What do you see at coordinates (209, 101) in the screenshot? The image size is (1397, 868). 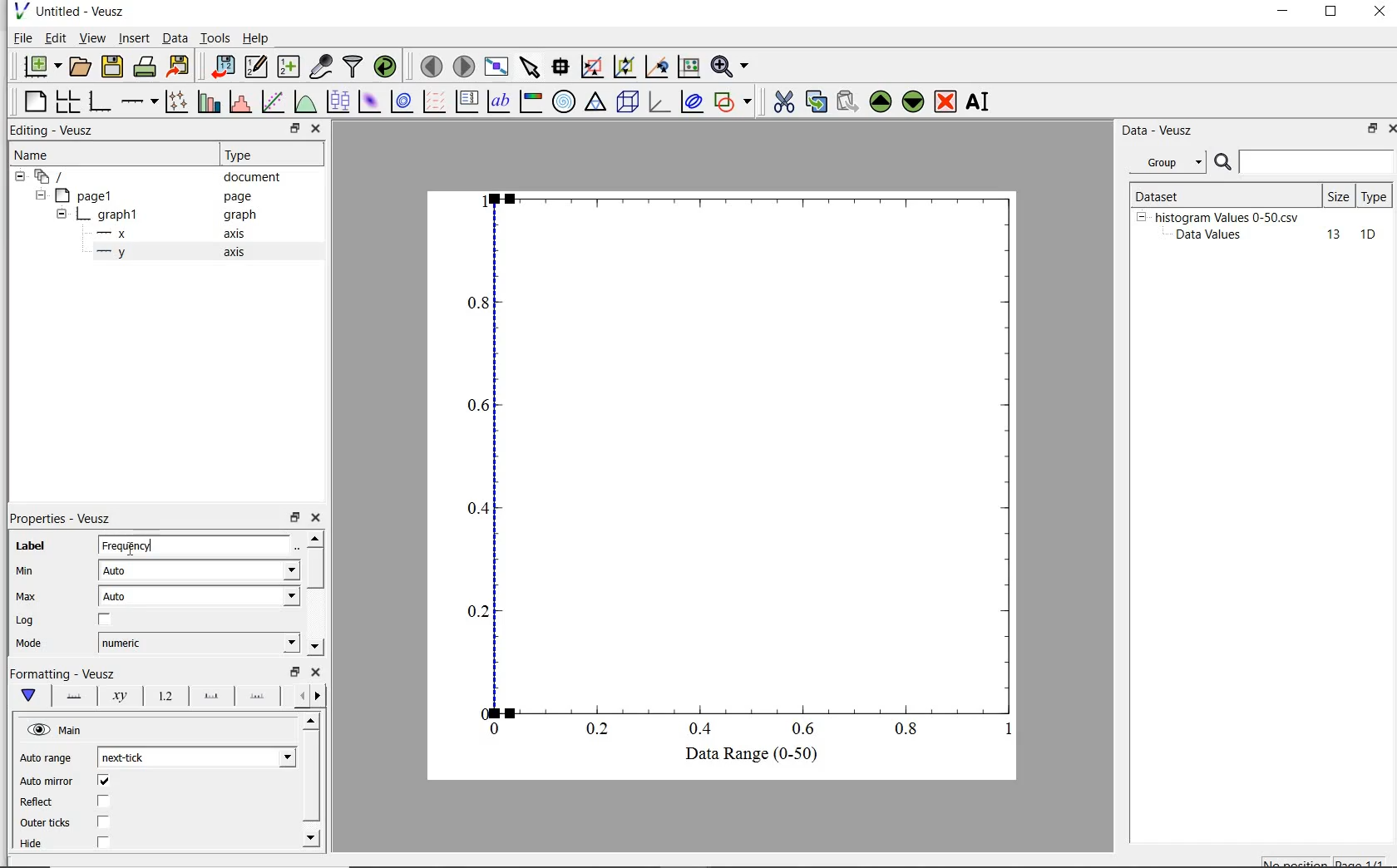 I see `plot bar charts` at bounding box center [209, 101].